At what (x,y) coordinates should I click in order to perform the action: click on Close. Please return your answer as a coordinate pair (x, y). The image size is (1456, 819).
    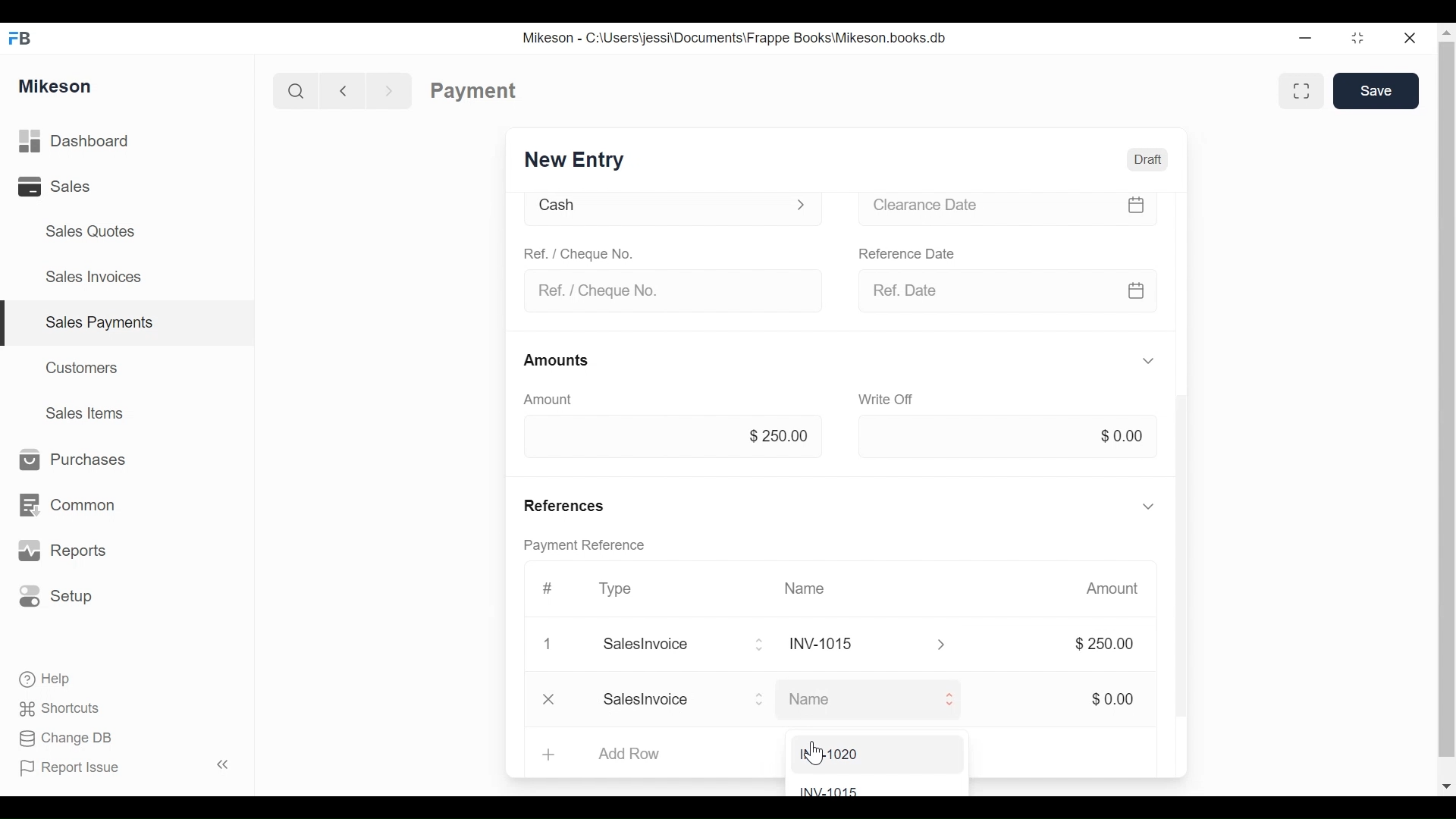
    Looking at the image, I should click on (557, 697).